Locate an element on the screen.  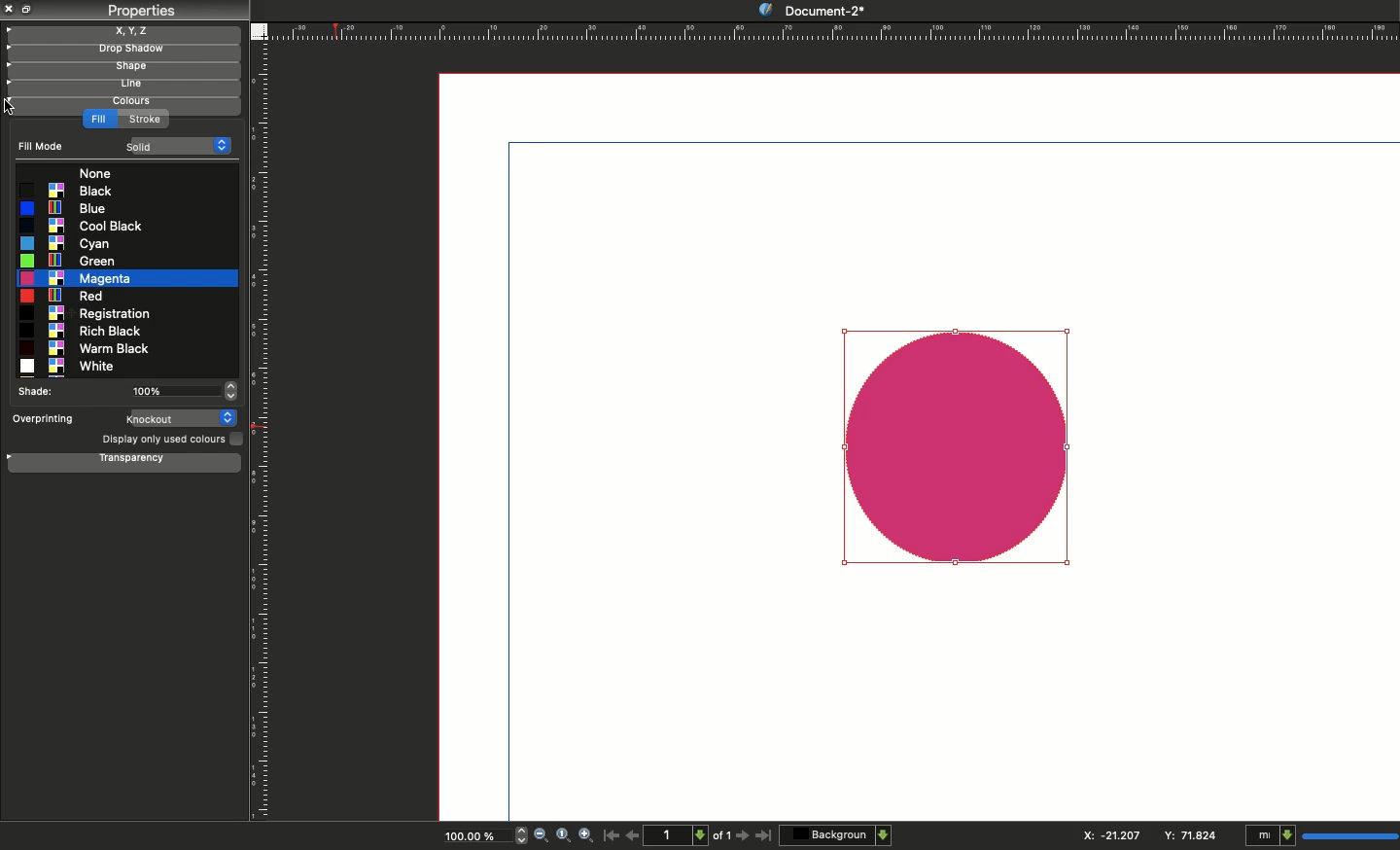
Blue is located at coordinates (125, 209).